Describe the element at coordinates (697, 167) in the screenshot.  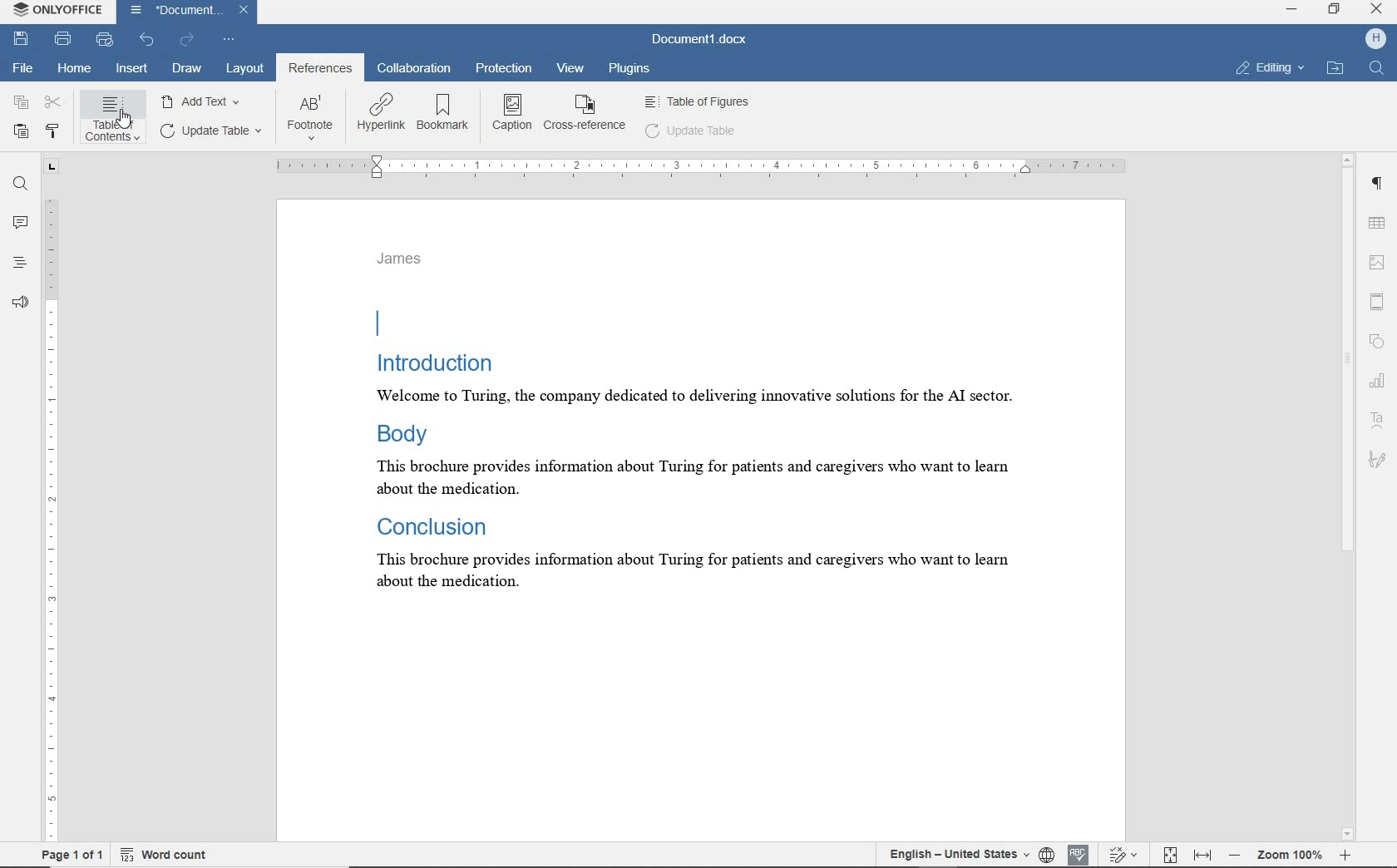
I see `ruler` at that location.